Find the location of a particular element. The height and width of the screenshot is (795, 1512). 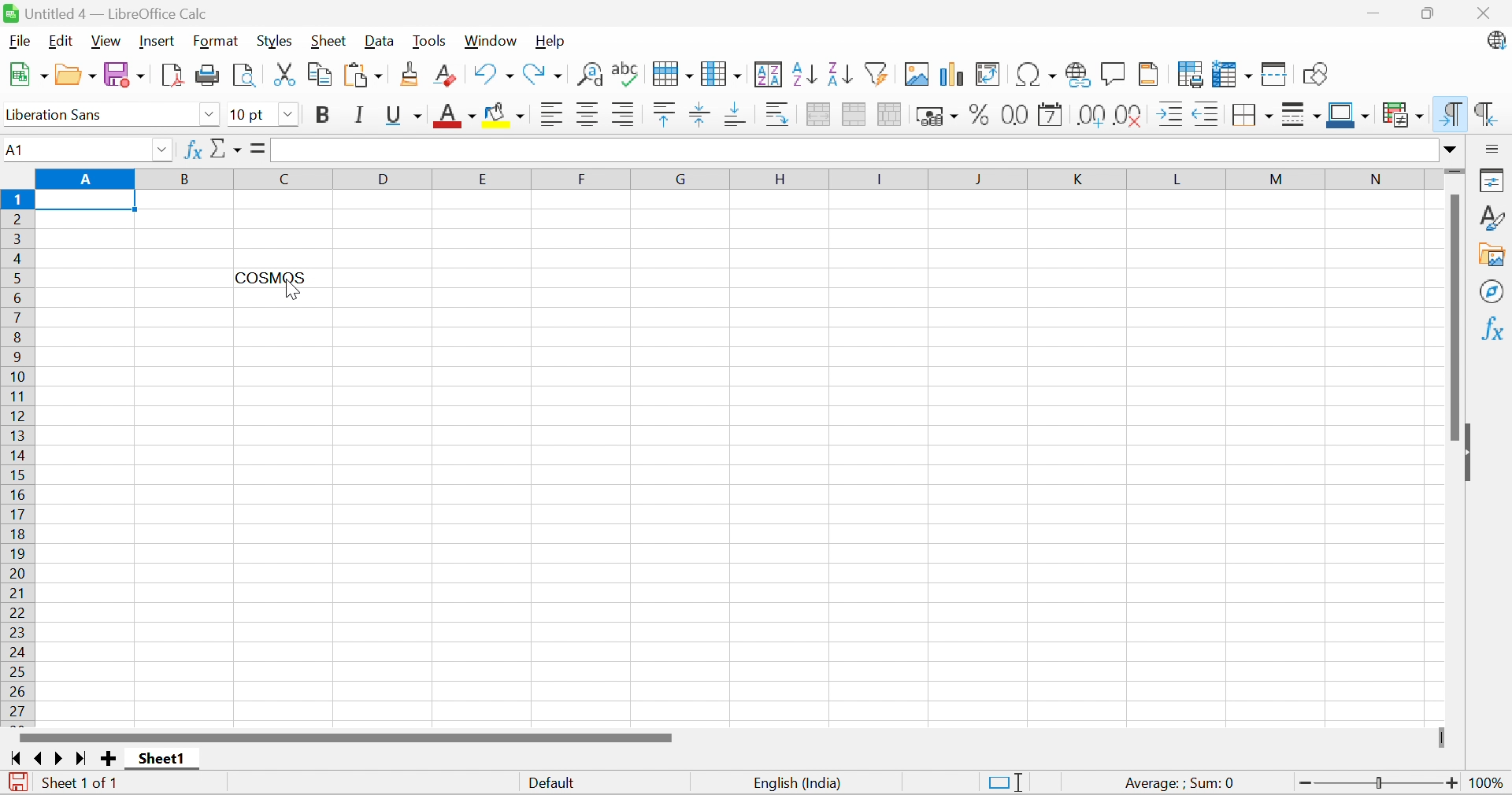

Background Color is located at coordinates (504, 115).